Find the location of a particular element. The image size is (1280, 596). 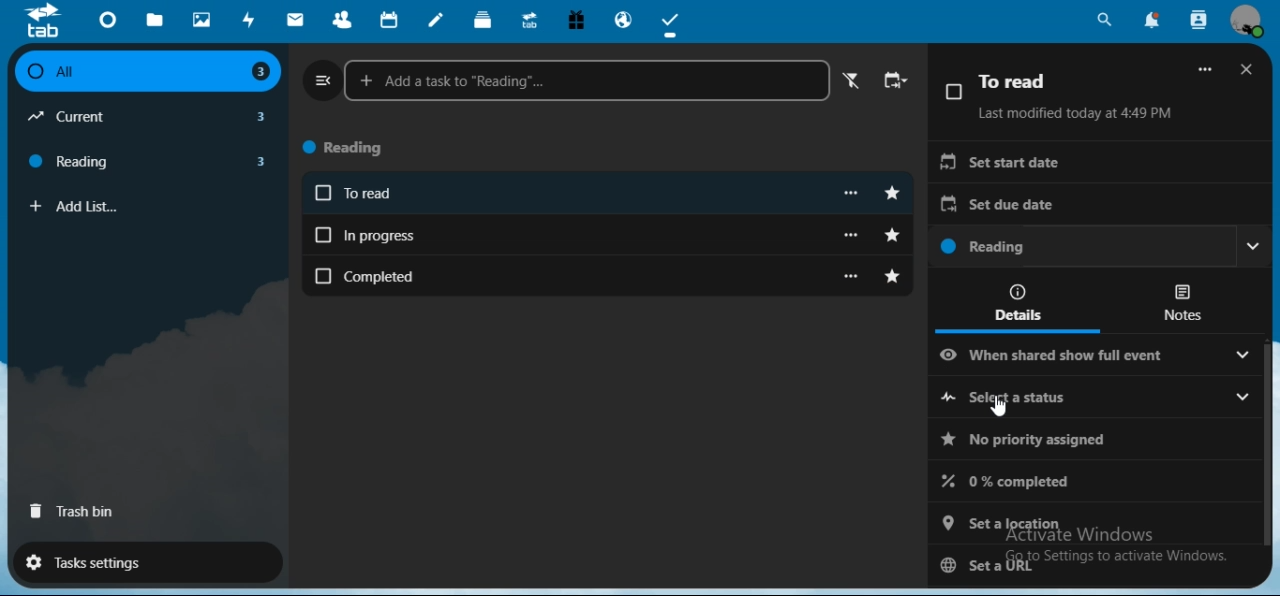

notifications is located at coordinates (1150, 21).